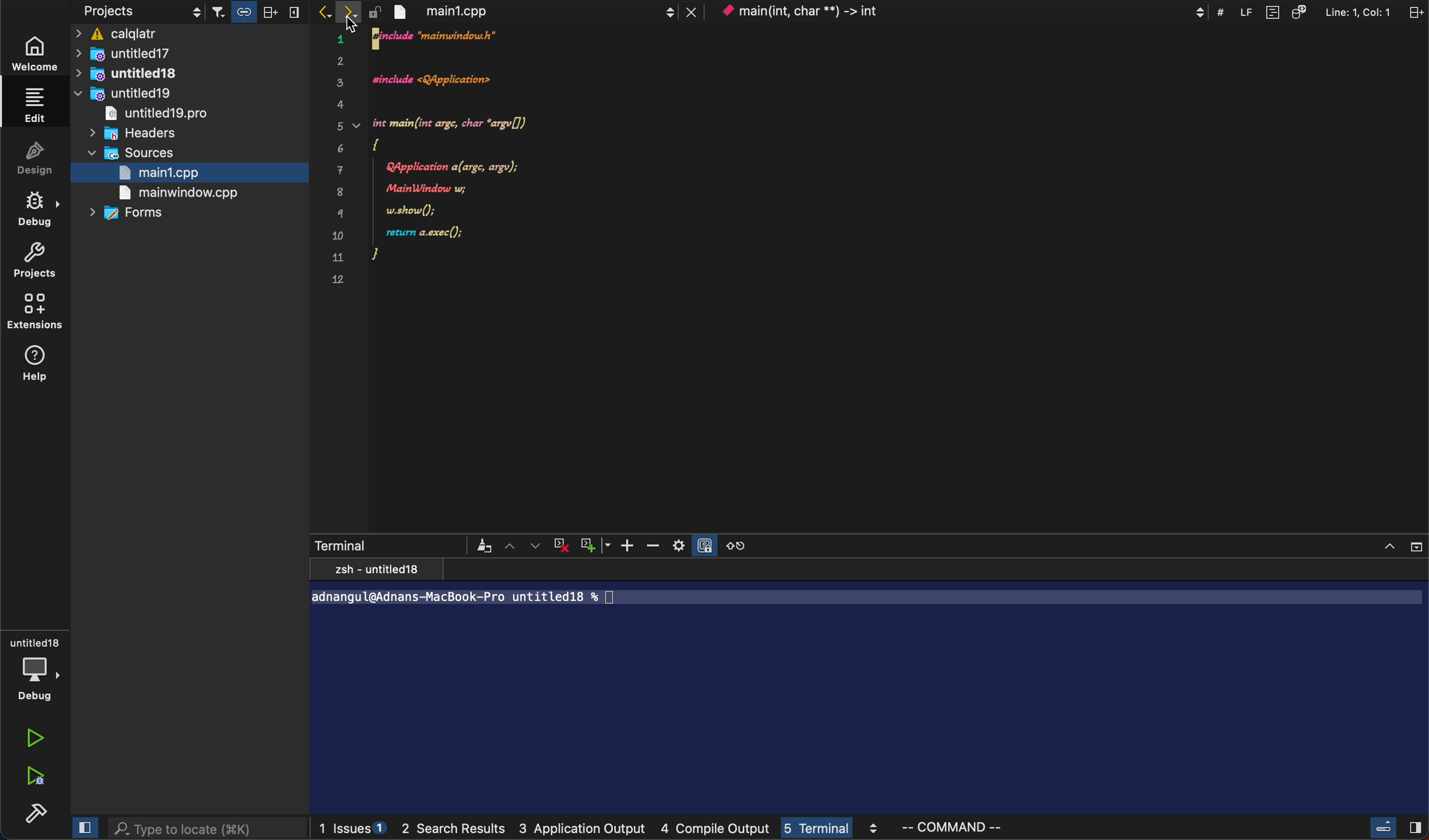  What do you see at coordinates (82, 824) in the screenshot?
I see `close slide bar` at bounding box center [82, 824].